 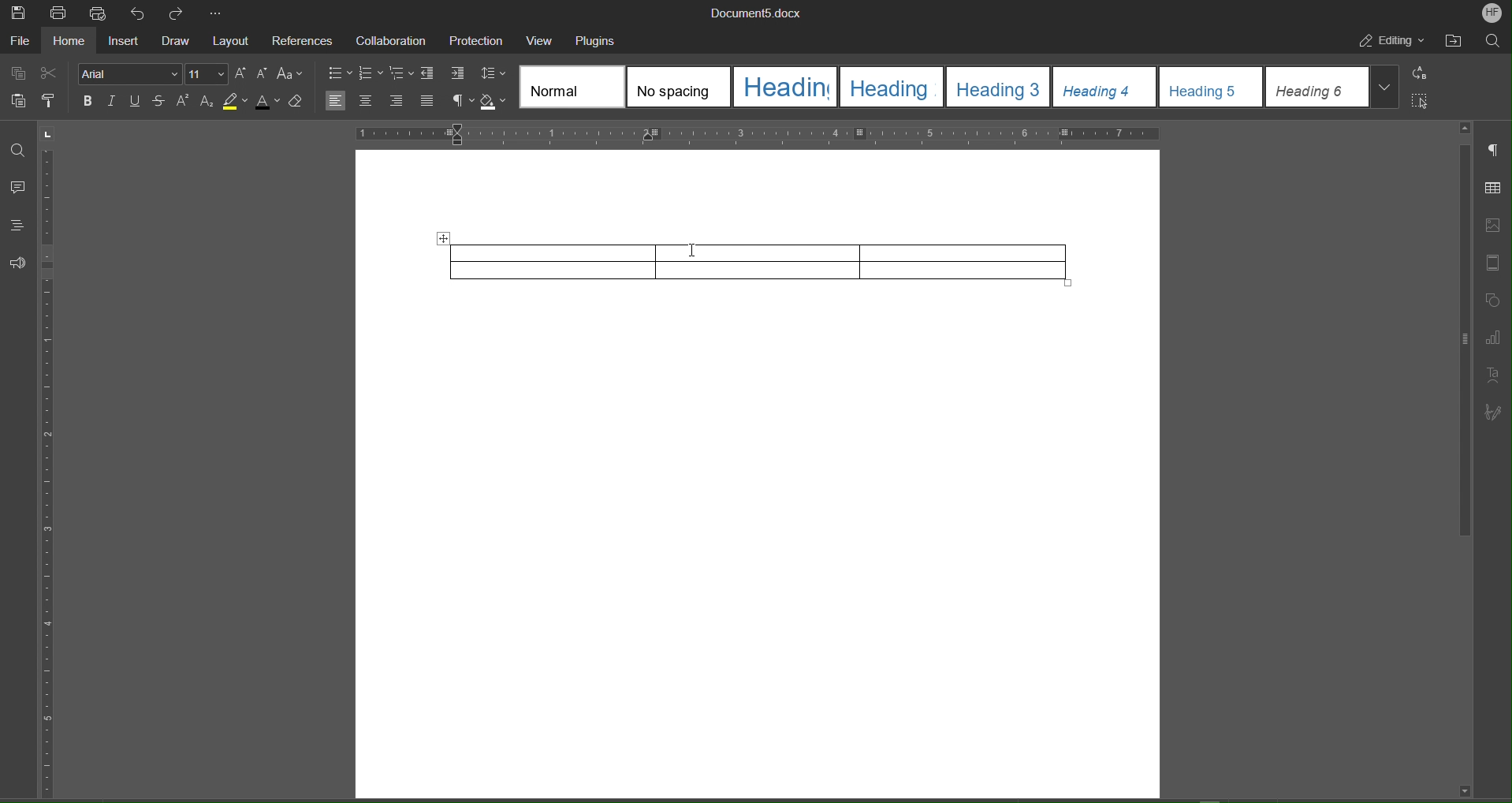 What do you see at coordinates (1465, 128) in the screenshot?
I see `scroll up` at bounding box center [1465, 128].